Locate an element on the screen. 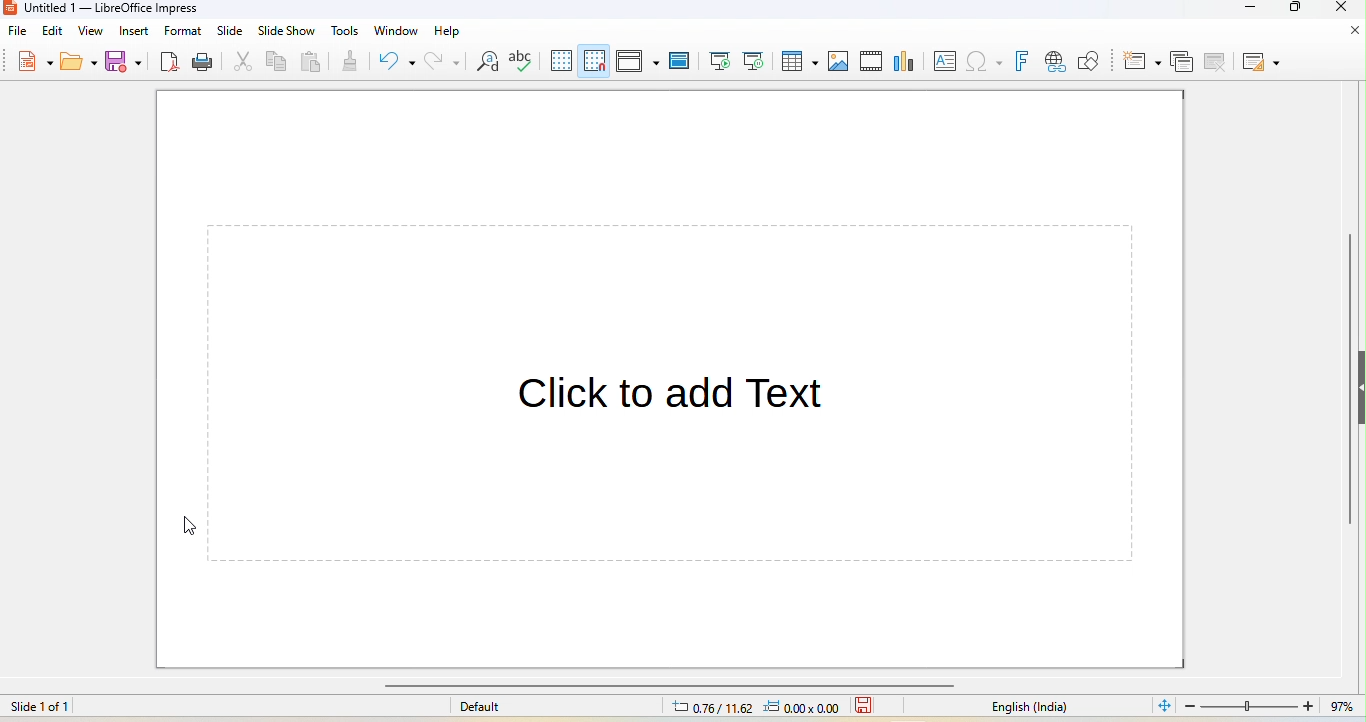  cut is located at coordinates (247, 62).